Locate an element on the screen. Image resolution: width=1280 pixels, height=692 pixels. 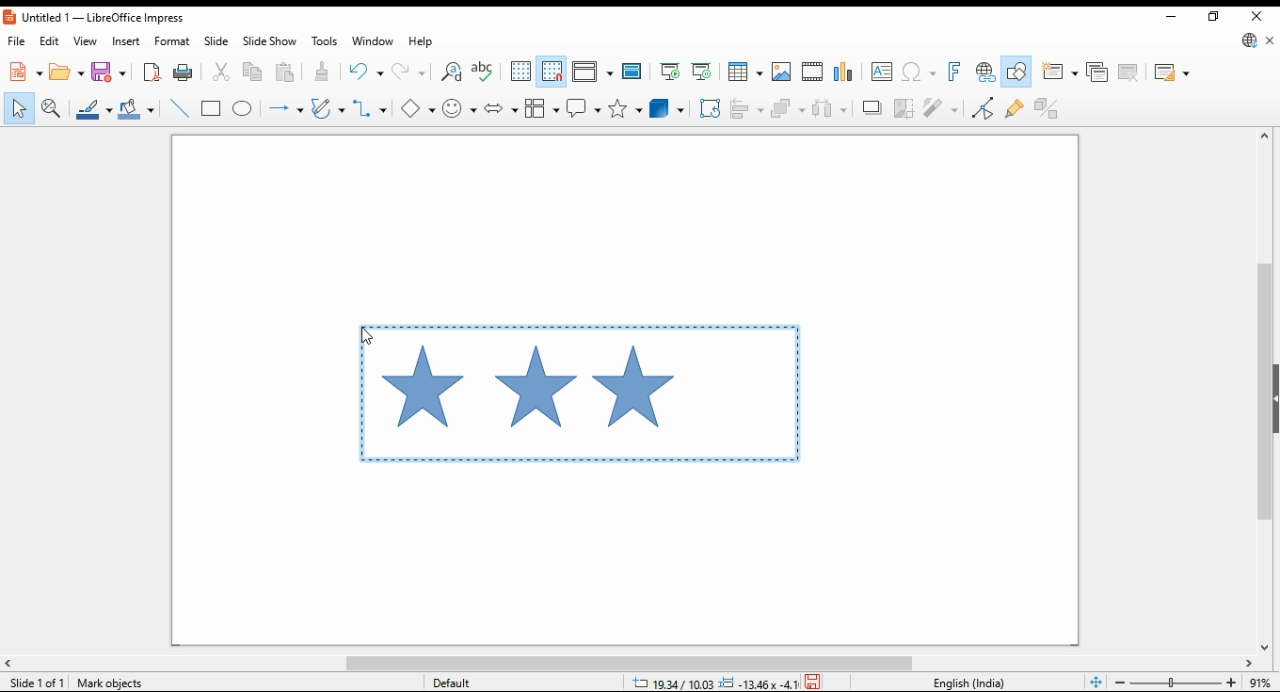
display view is located at coordinates (594, 72).